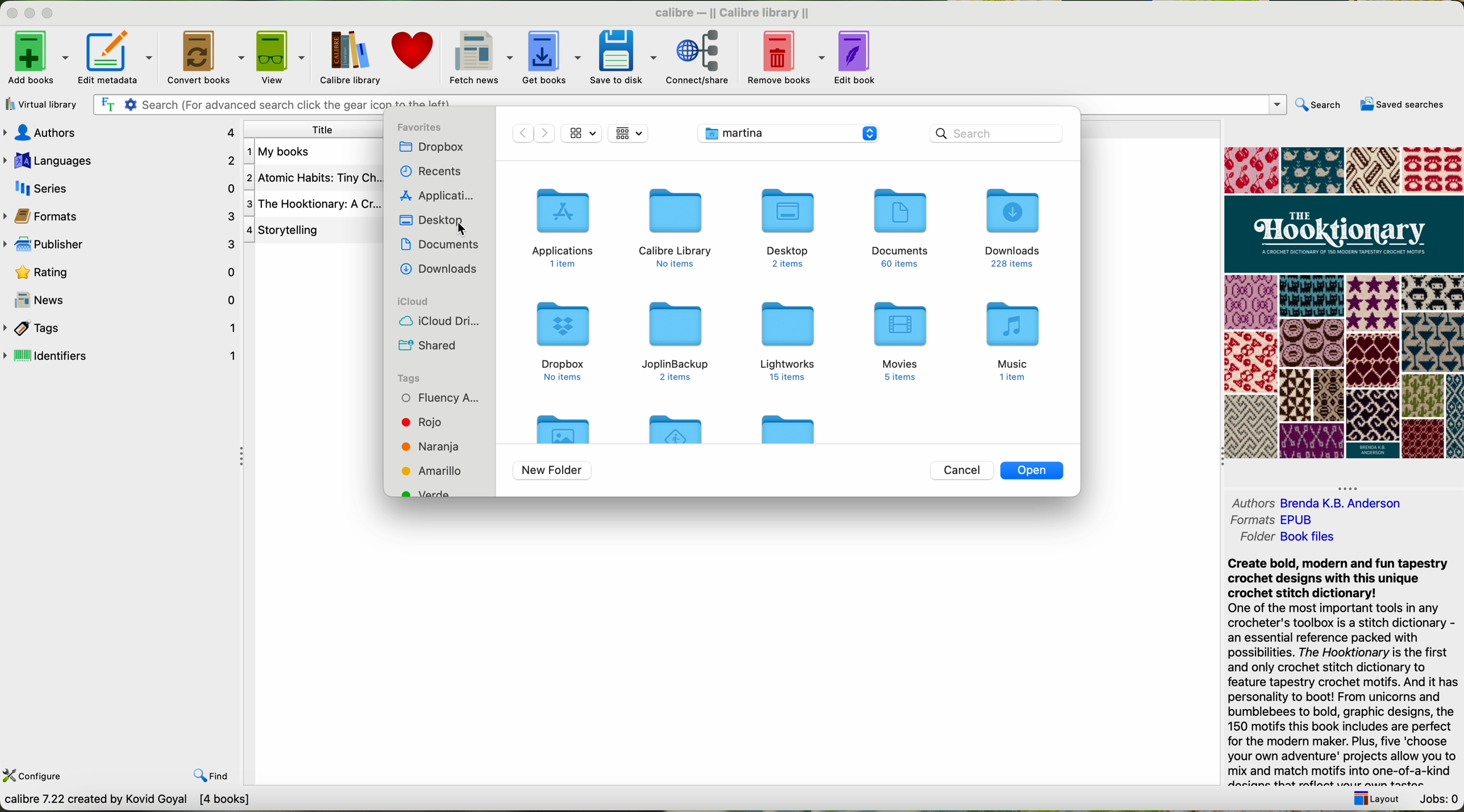  Describe the element at coordinates (423, 126) in the screenshot. I see `favorites` at that location.